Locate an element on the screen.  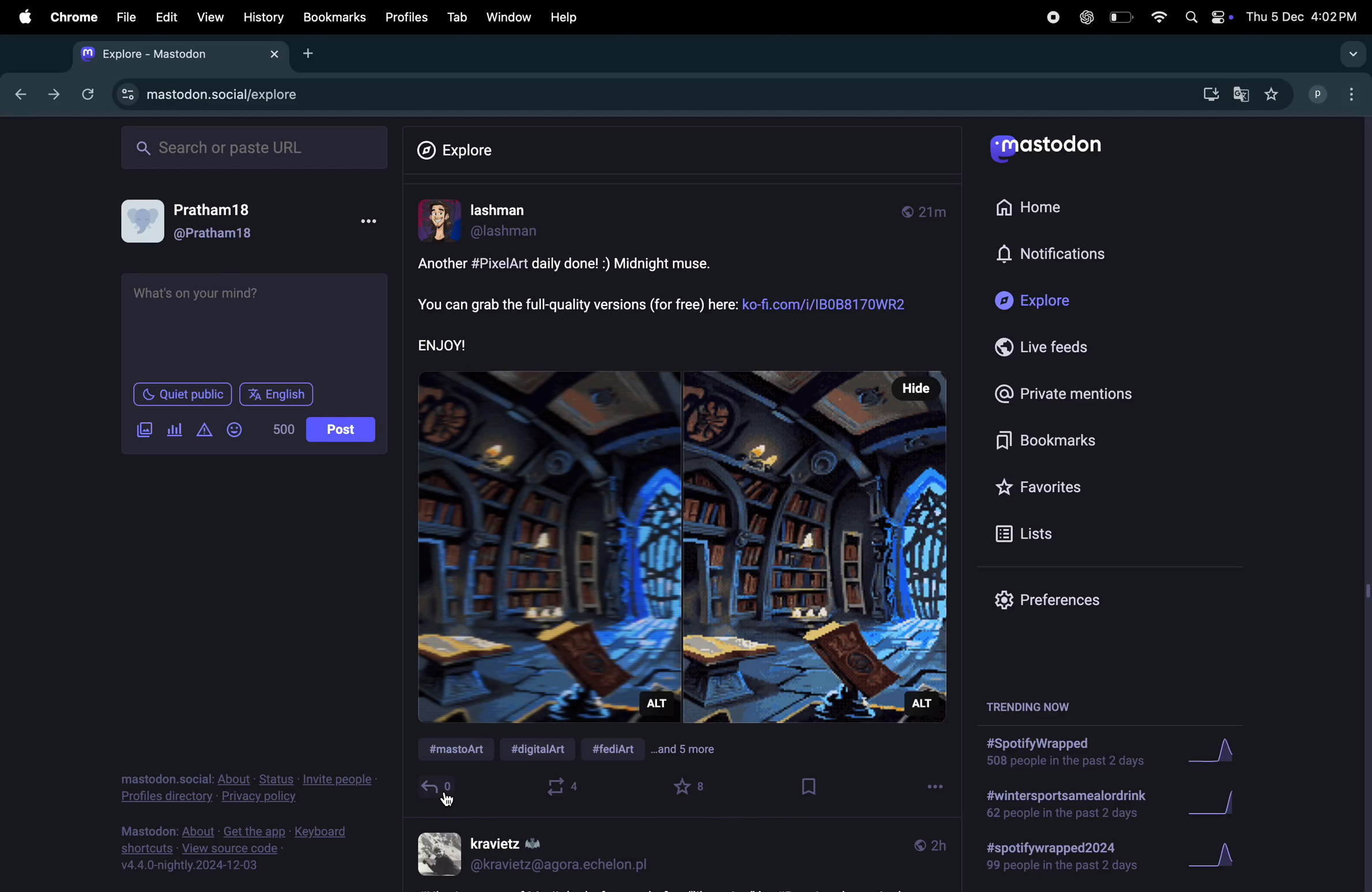
help is located at coordinates (567, 16).